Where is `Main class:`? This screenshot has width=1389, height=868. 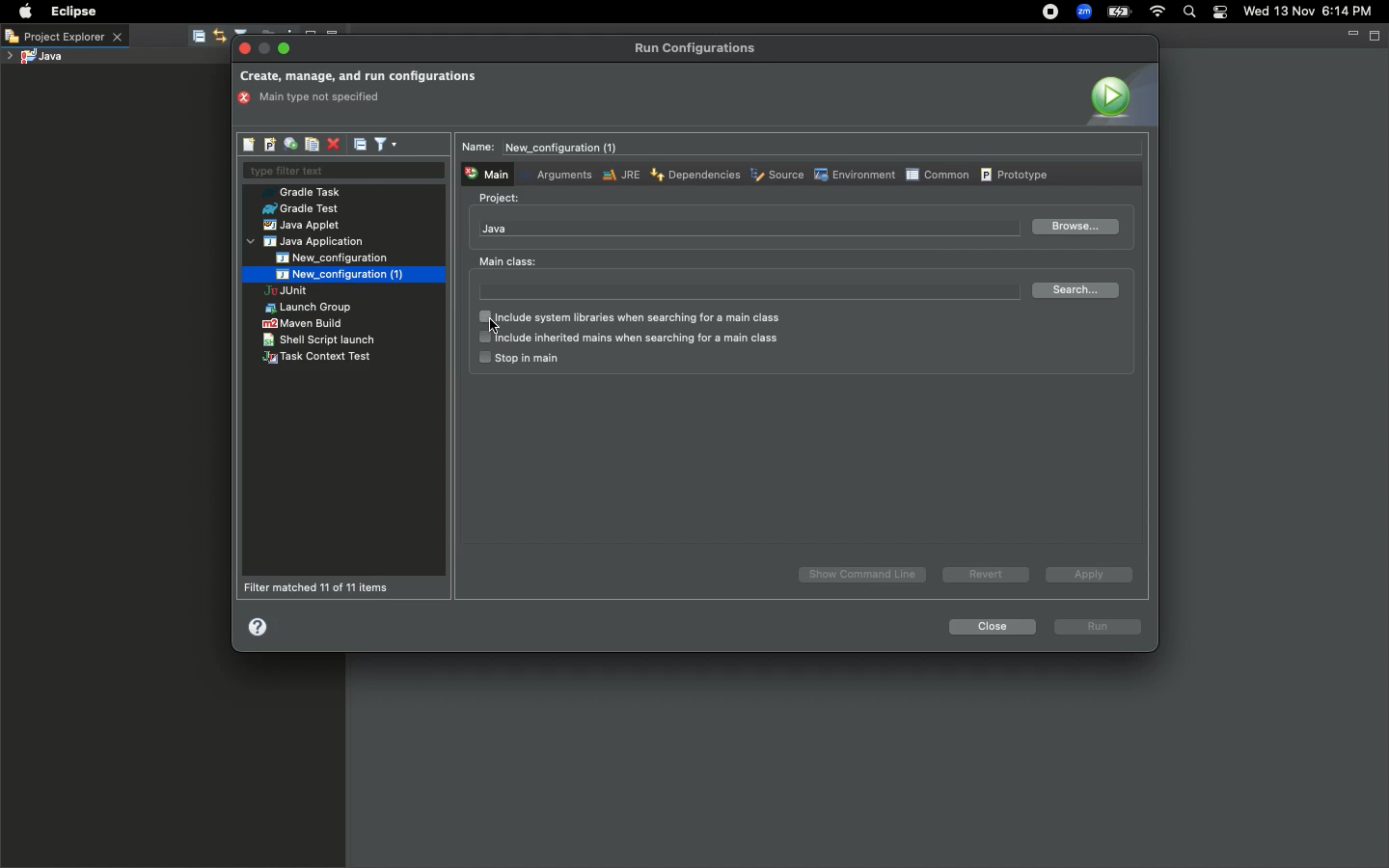
Main class: is located at coordinates (507, 261).